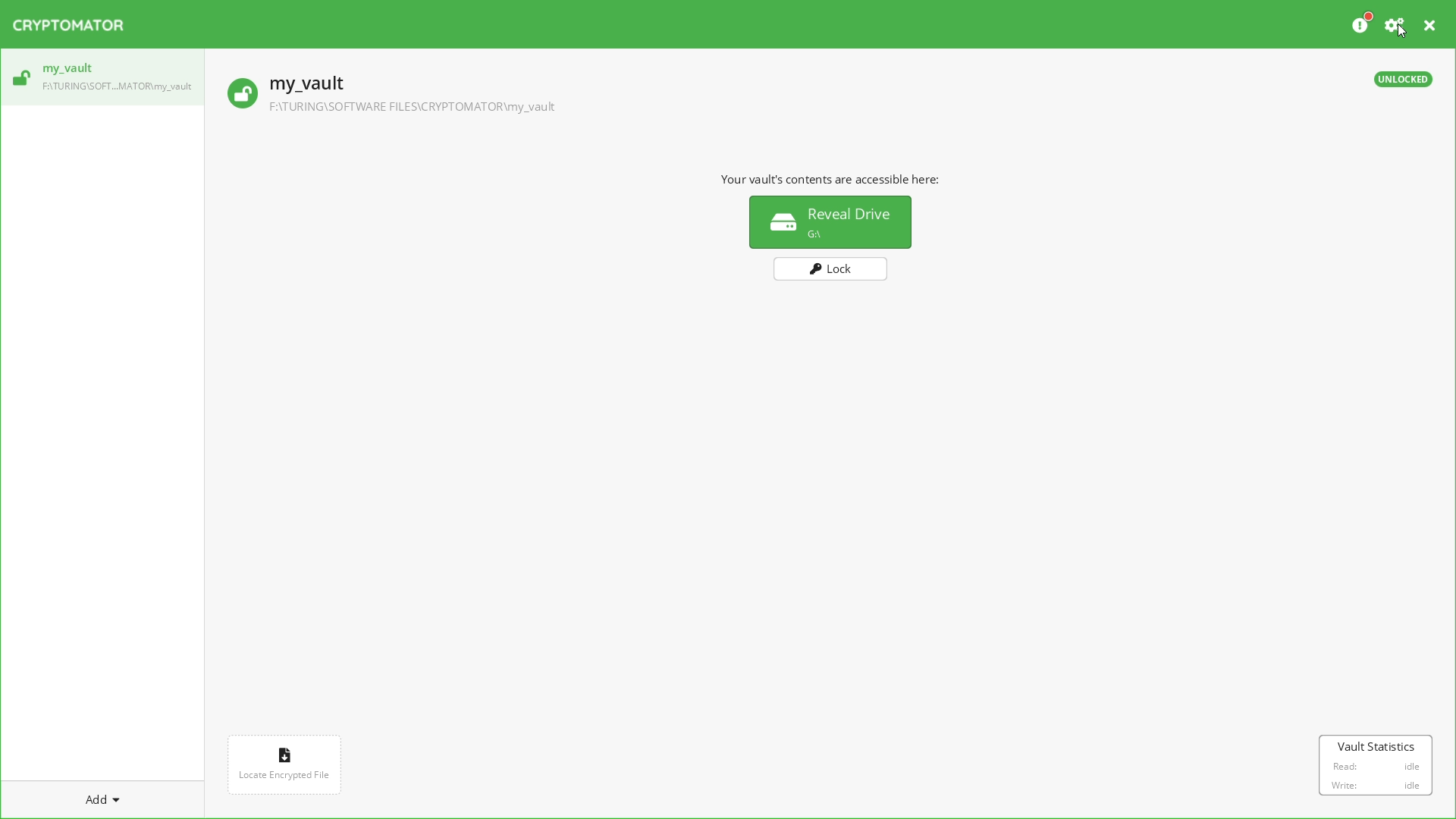 The image size is (1456, 819). Describe the element at coordinates (833, 224) in the screenshot. I see `Reveal Drive` at that location.